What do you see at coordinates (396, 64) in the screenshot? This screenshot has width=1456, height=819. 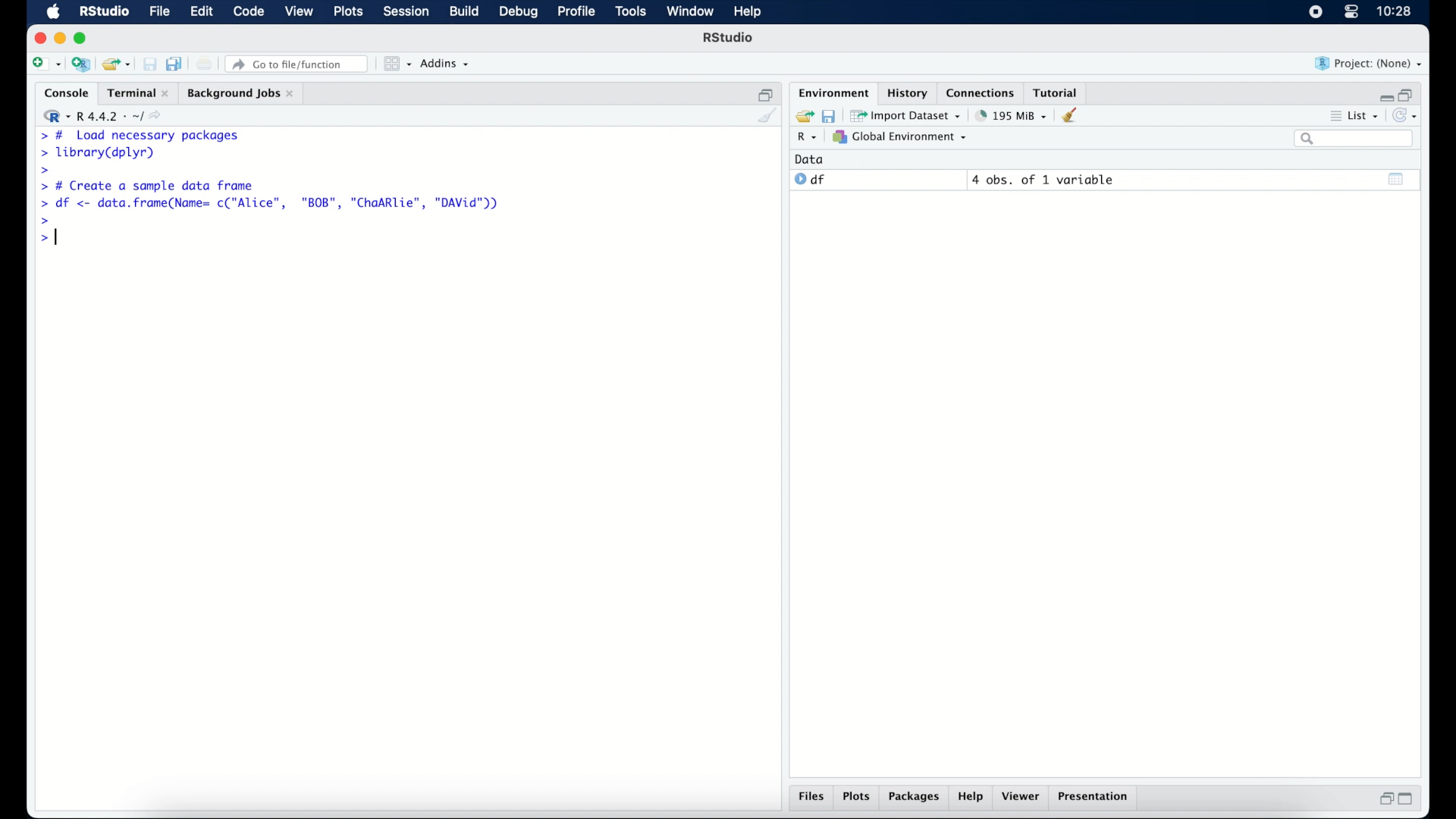 I see `workspace panes` at bounding box center [396, 64].